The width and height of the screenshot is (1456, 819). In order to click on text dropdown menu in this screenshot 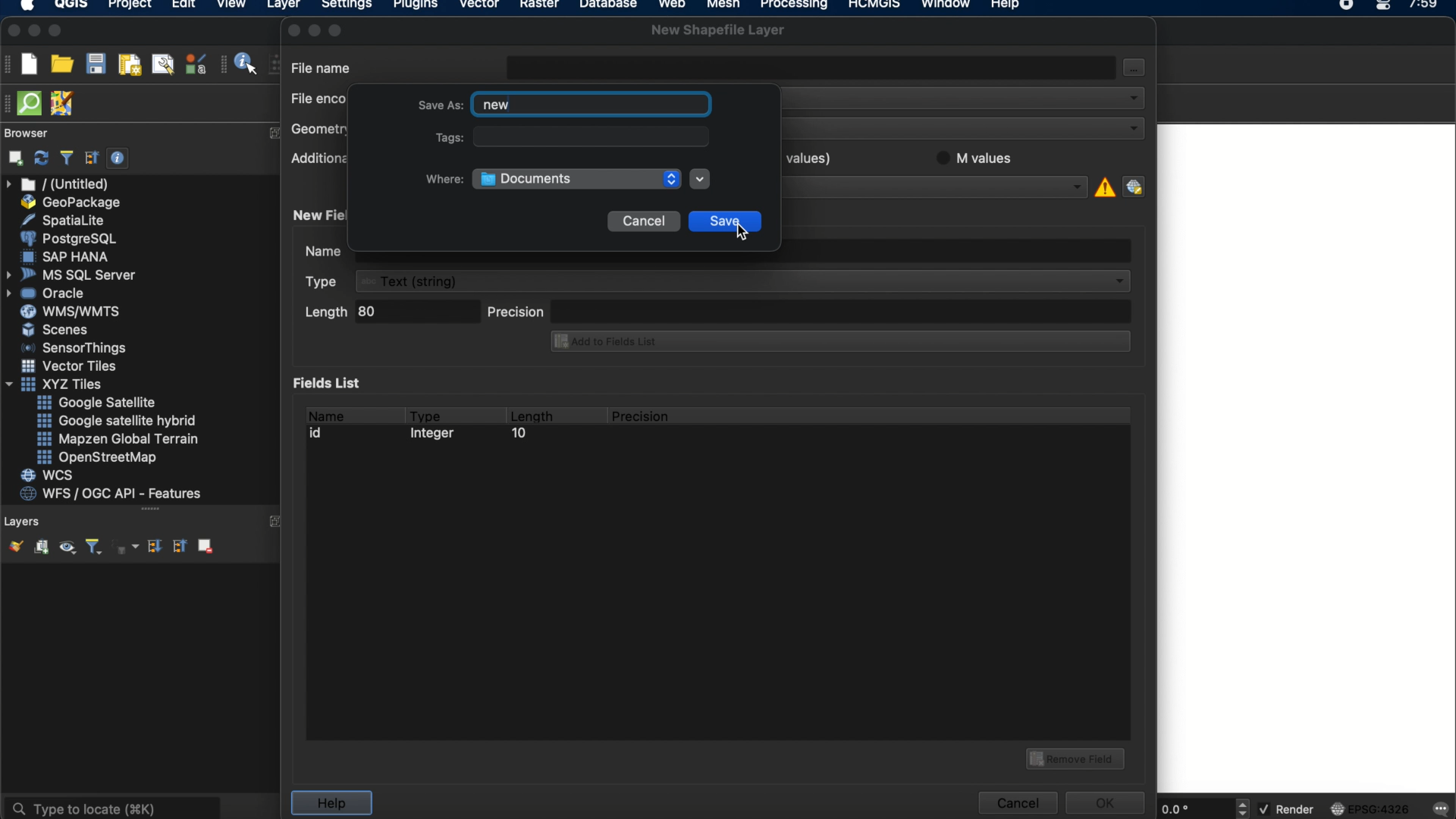, I will do `click(720, 281)`.